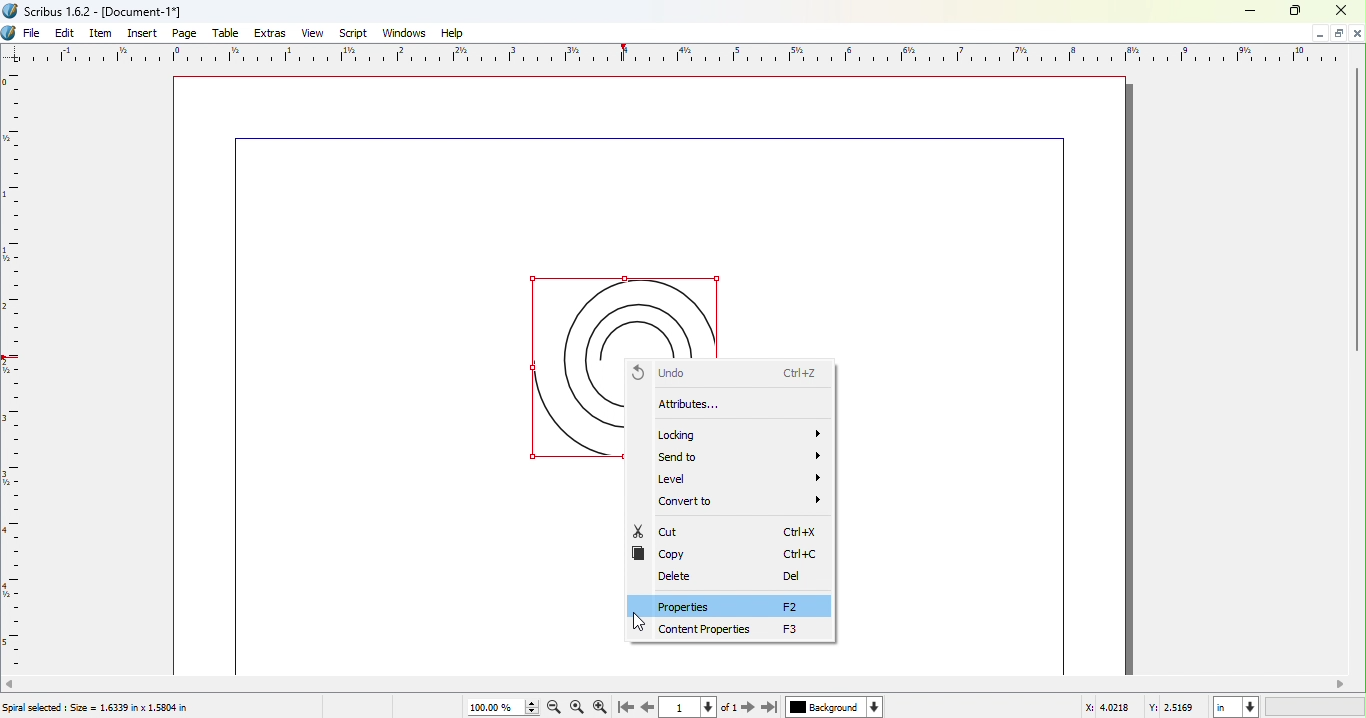 The height and width of the screenshot is (718, 1366). Describe the element at coordinates (452, 32) in the screenshot. I see `Help` at that location.